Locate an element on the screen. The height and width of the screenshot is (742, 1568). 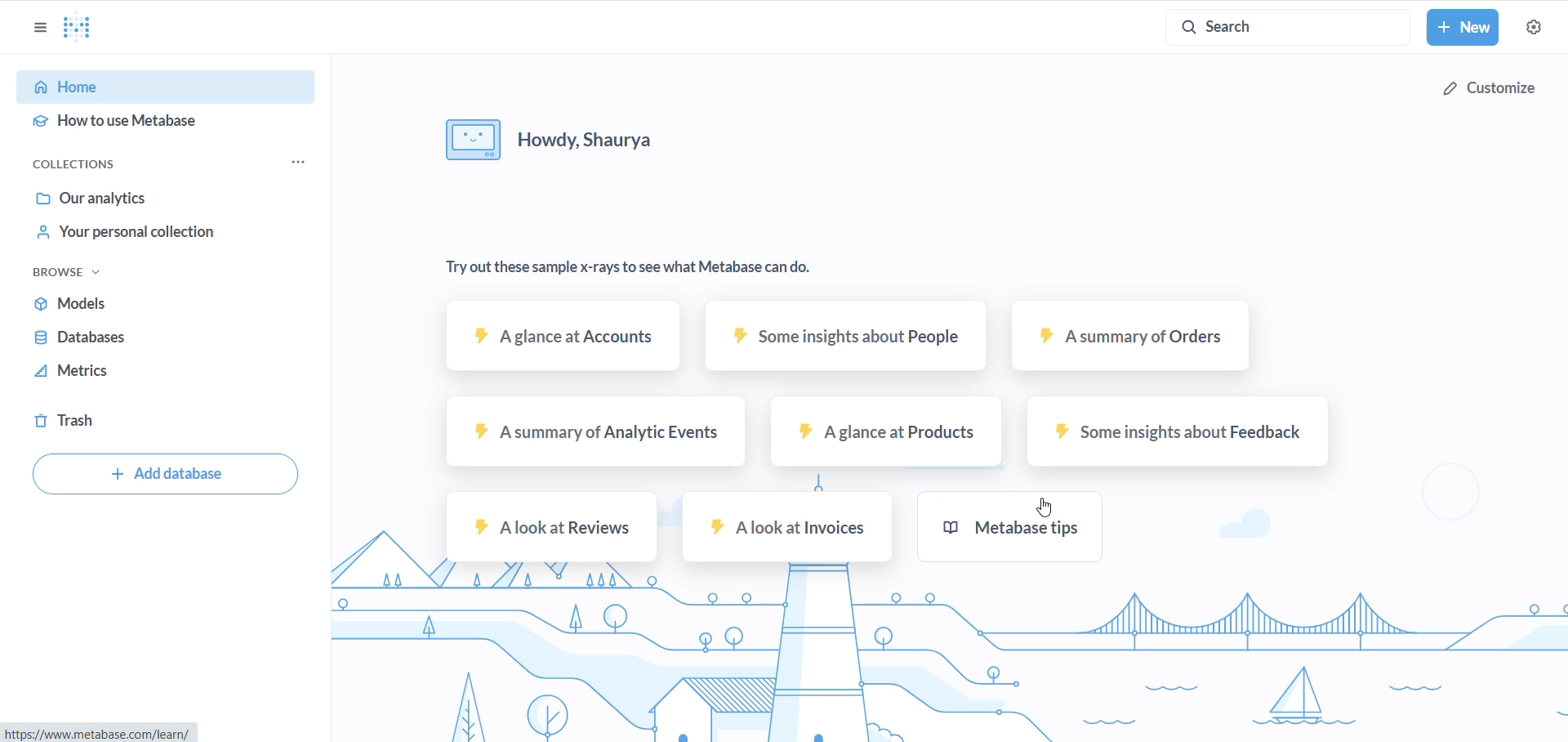
A look at invoices sample is located at coordinates (782, 529).